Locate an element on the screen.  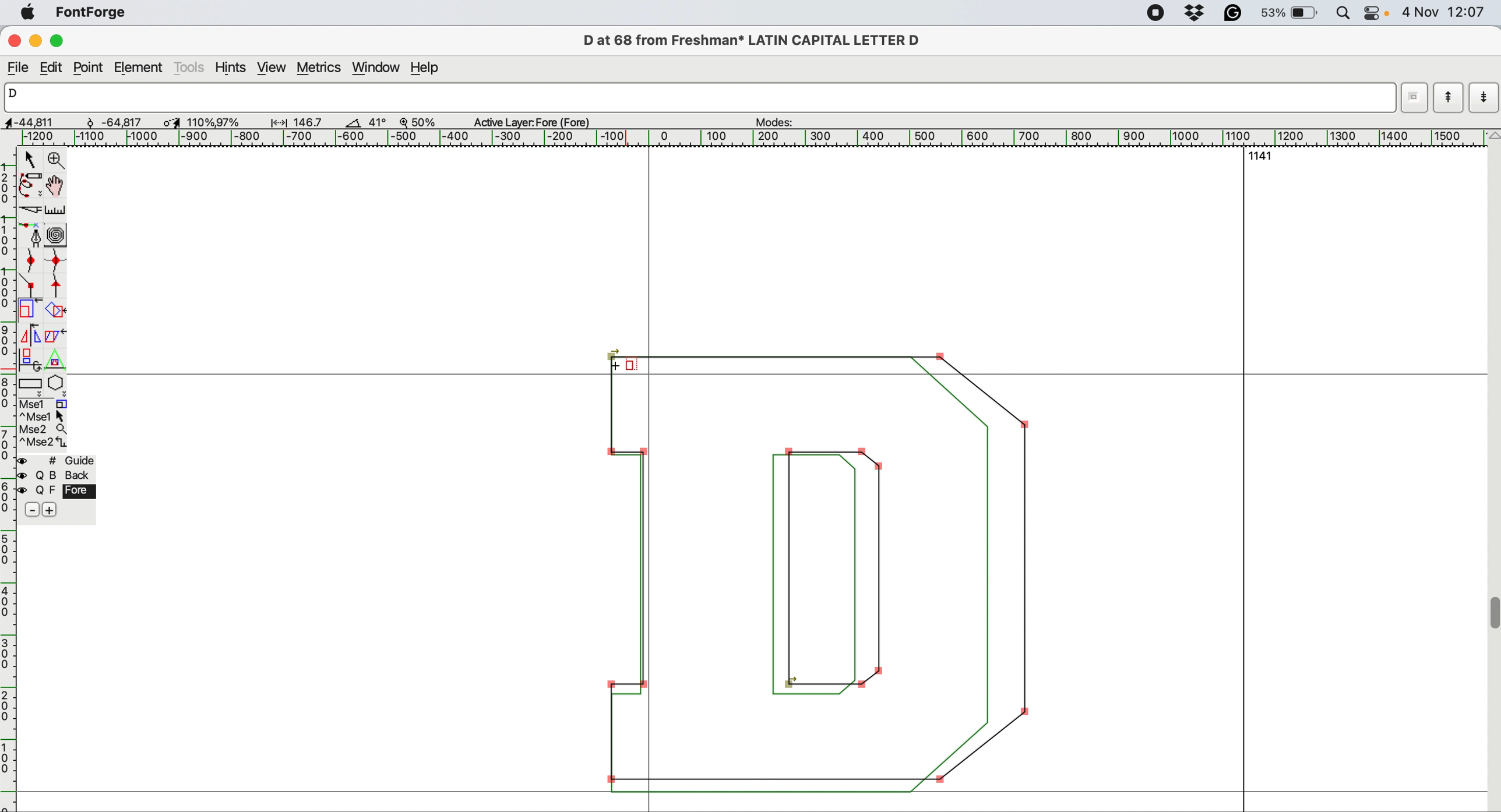
add point and drag is located at coordinates (29, 234).